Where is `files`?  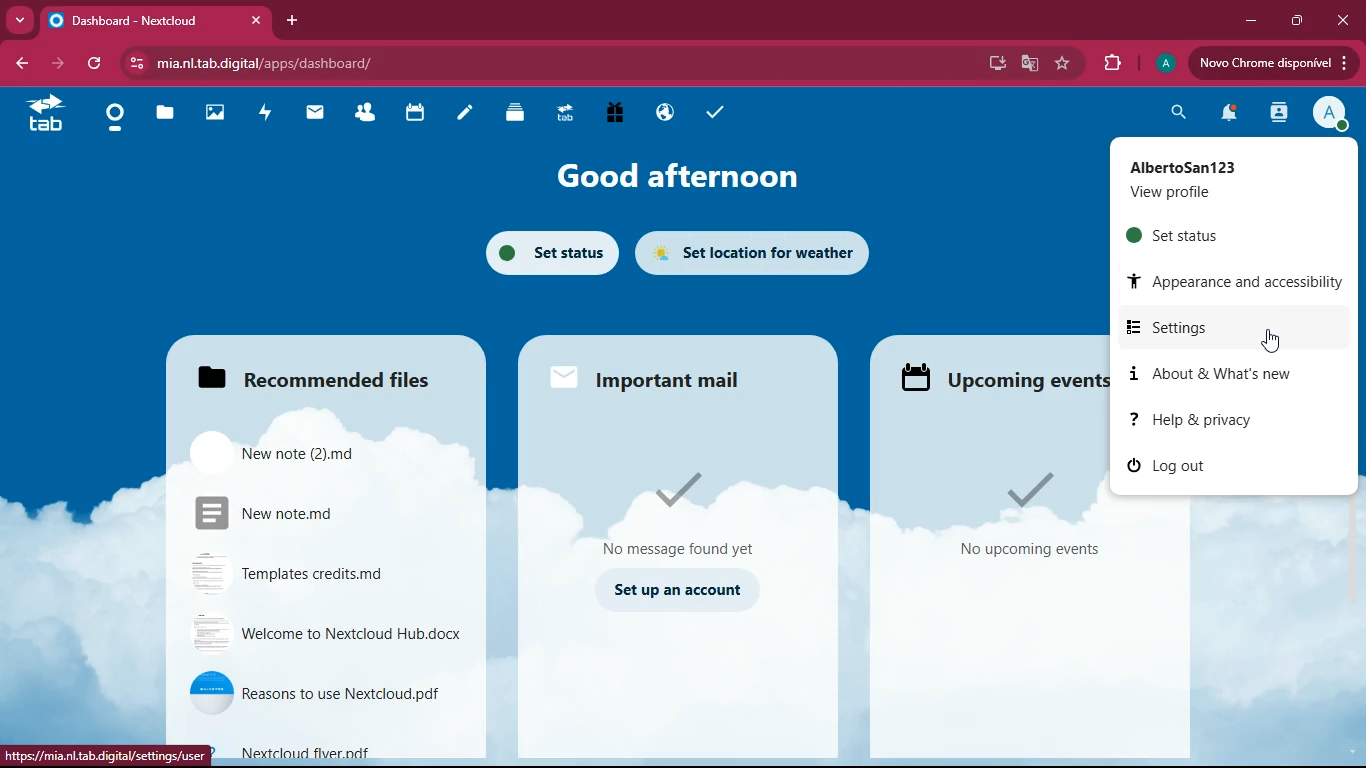
files is located at coordinates (166, 115).